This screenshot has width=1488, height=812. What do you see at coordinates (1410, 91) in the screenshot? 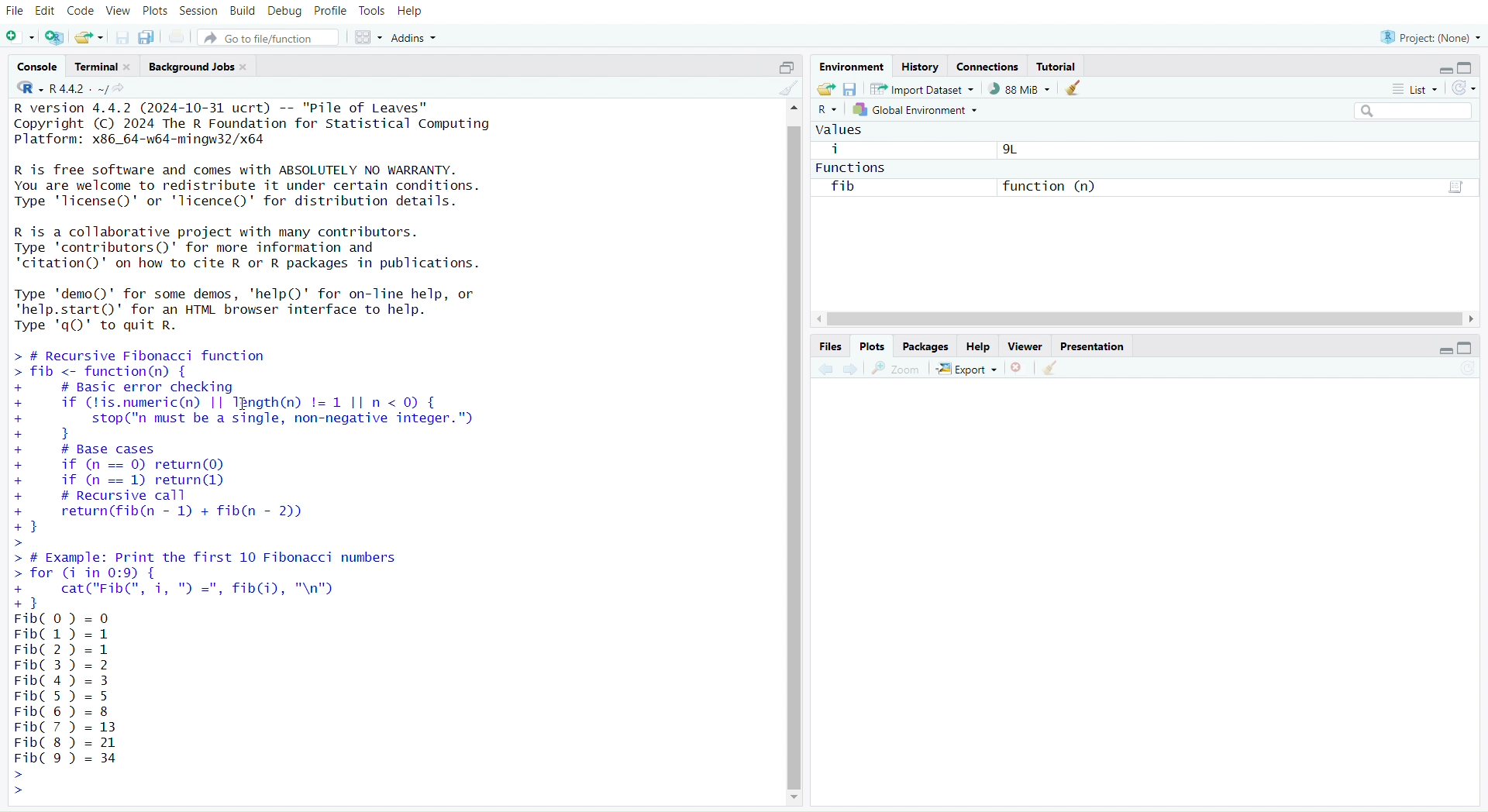
I see `list` at bounding box center [1410, 91].